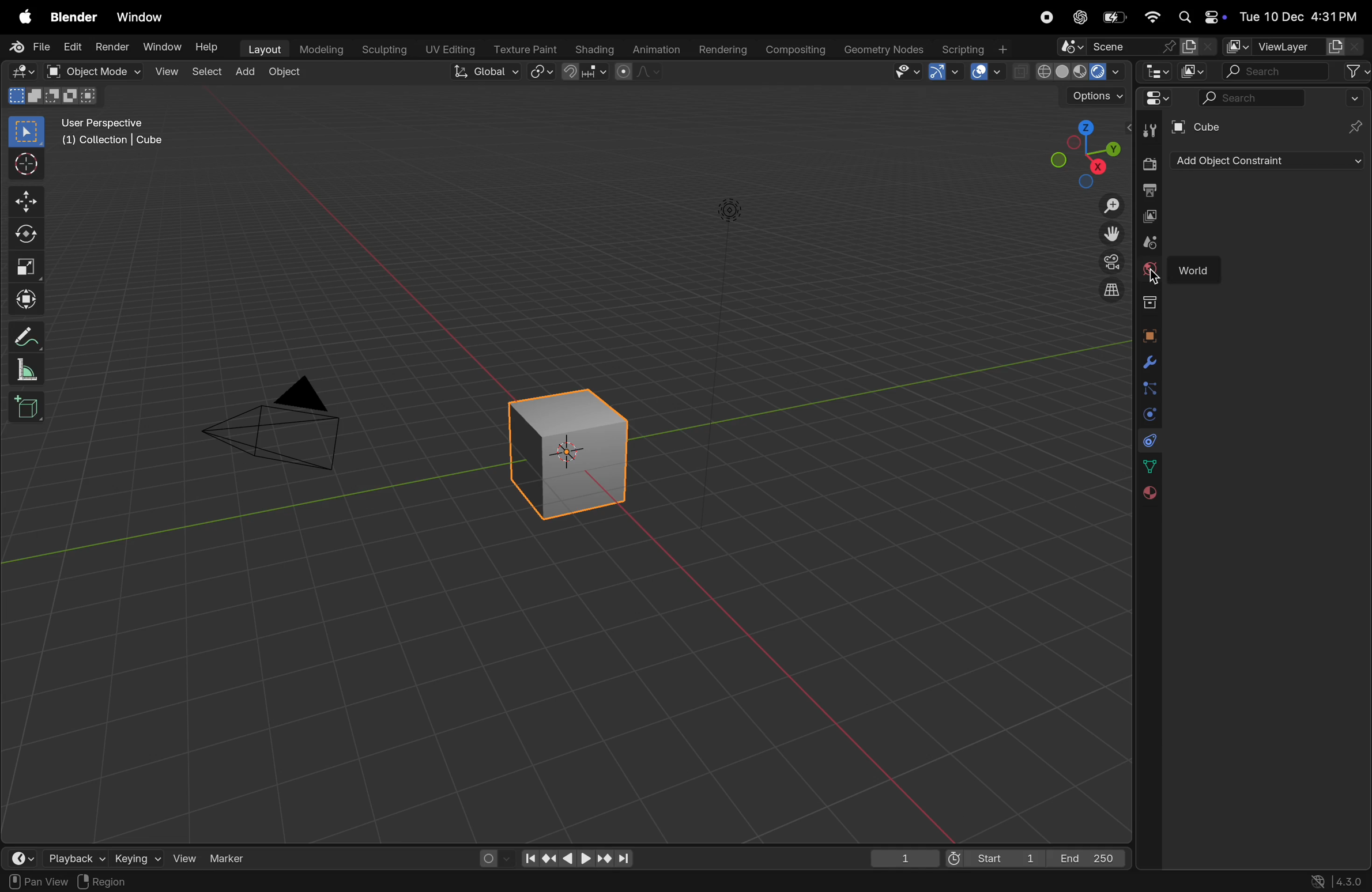  Describe the element at coordinates (1149, 390) in the screenshot. I see `Particles` at that location.